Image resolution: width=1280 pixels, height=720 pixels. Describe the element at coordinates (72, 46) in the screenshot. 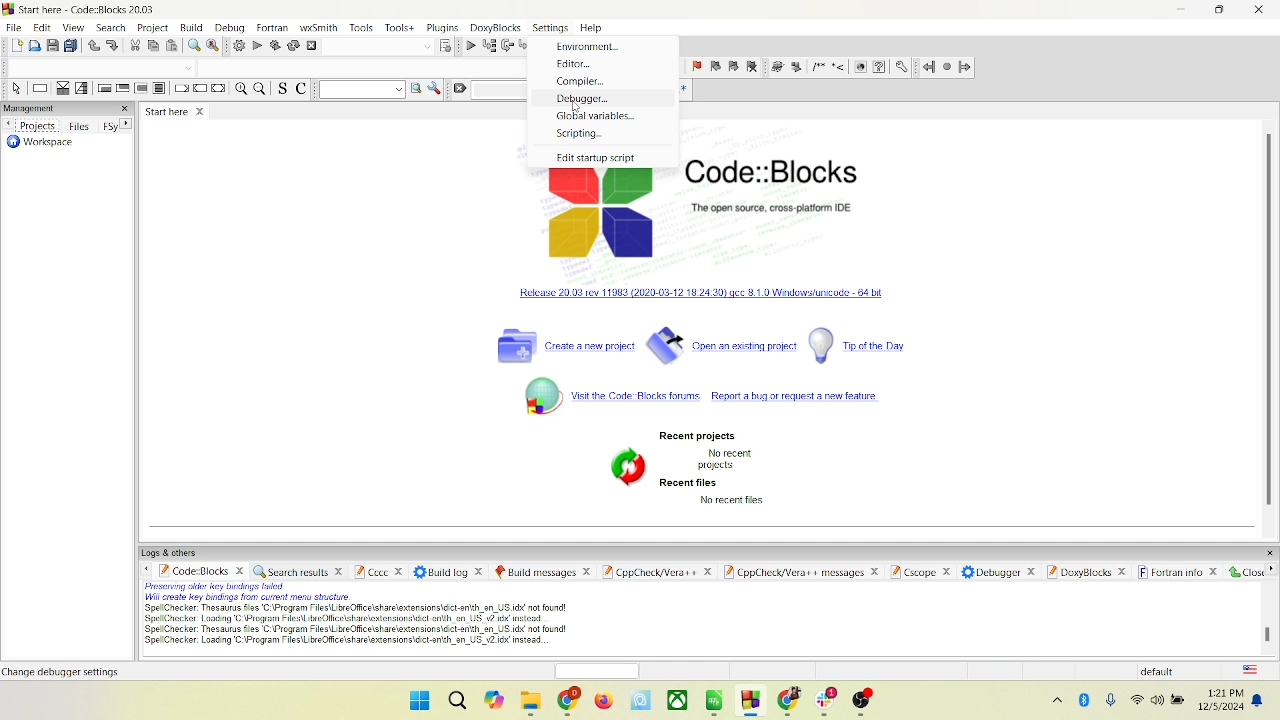

I see `save everything` at that location.